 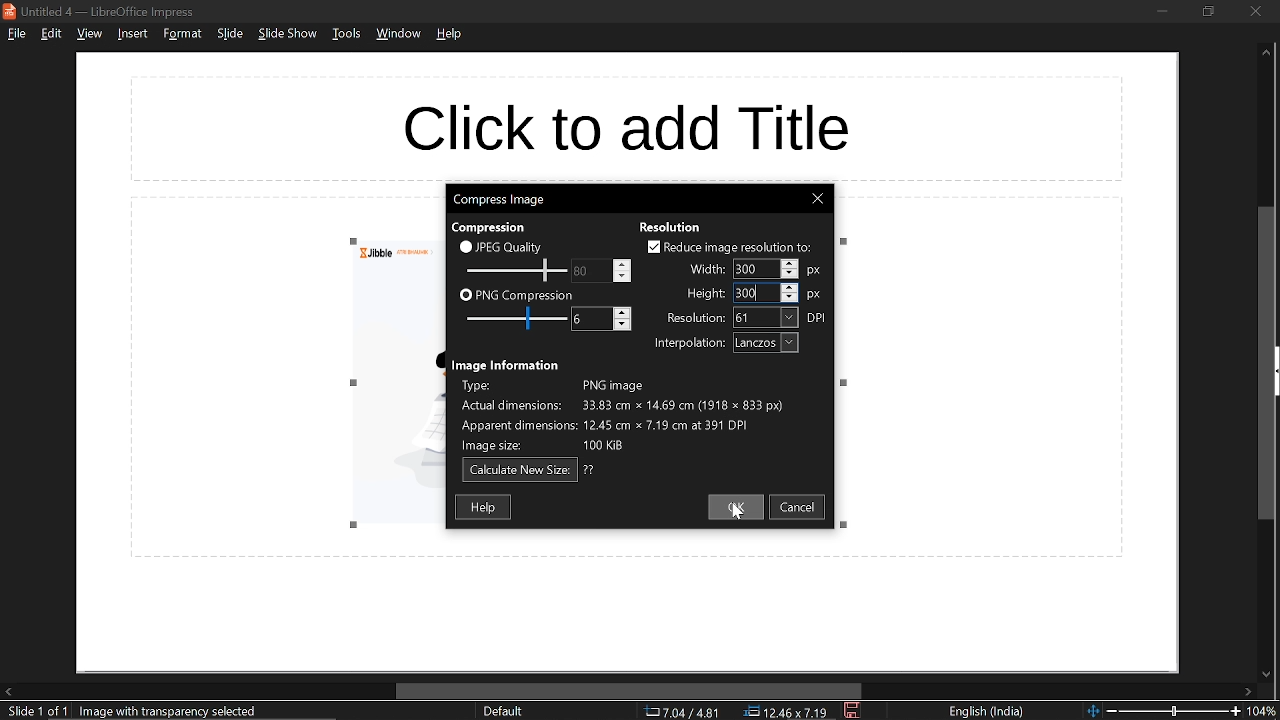 What do you see at coordinates (1162, 712) in the screenshot?
I see `change zoom` at bounding box center [1162, 712].